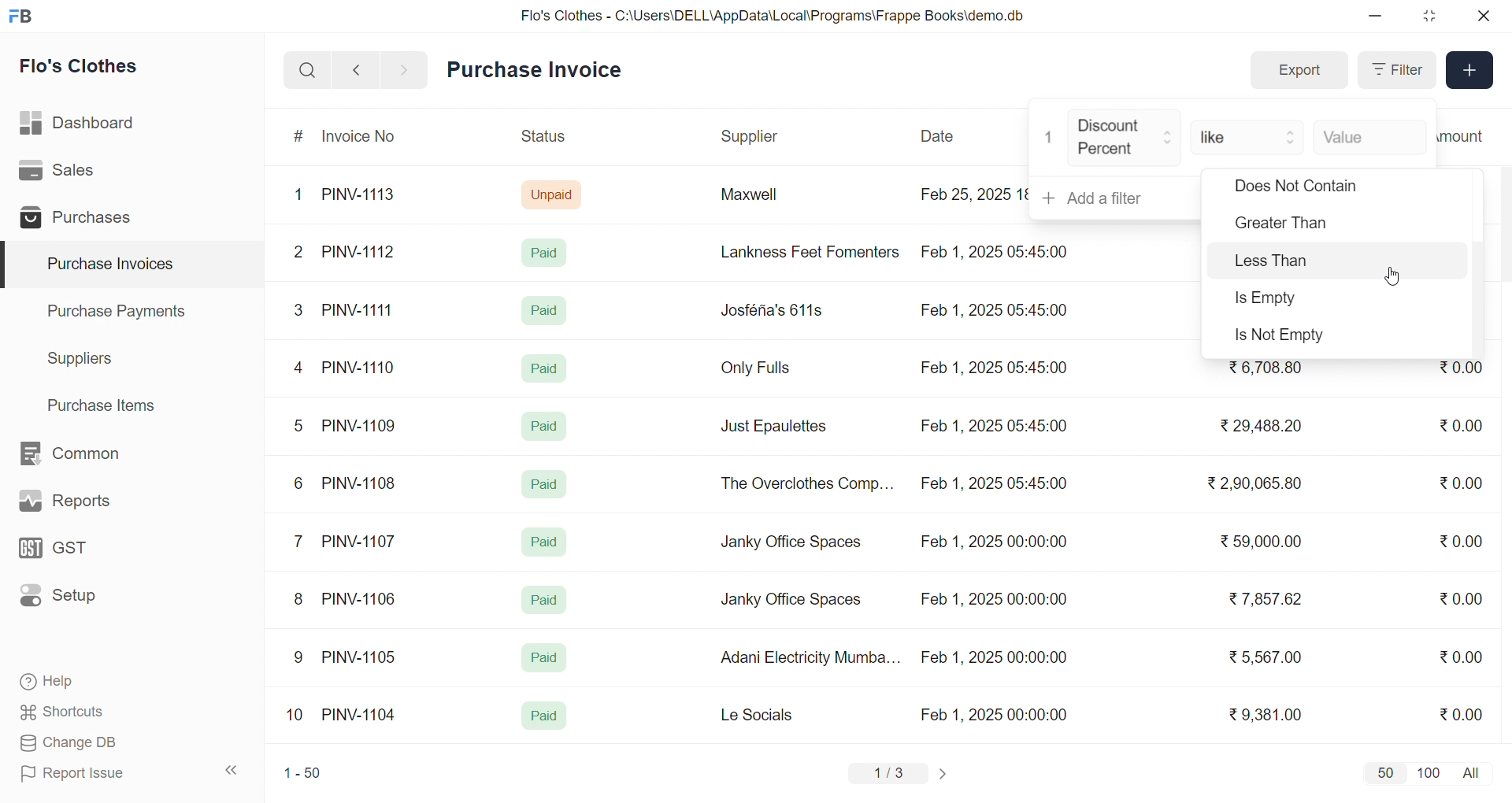 This screenshot has height=803, width=1512. I want to click on Is Empty, so click(1295, 302).